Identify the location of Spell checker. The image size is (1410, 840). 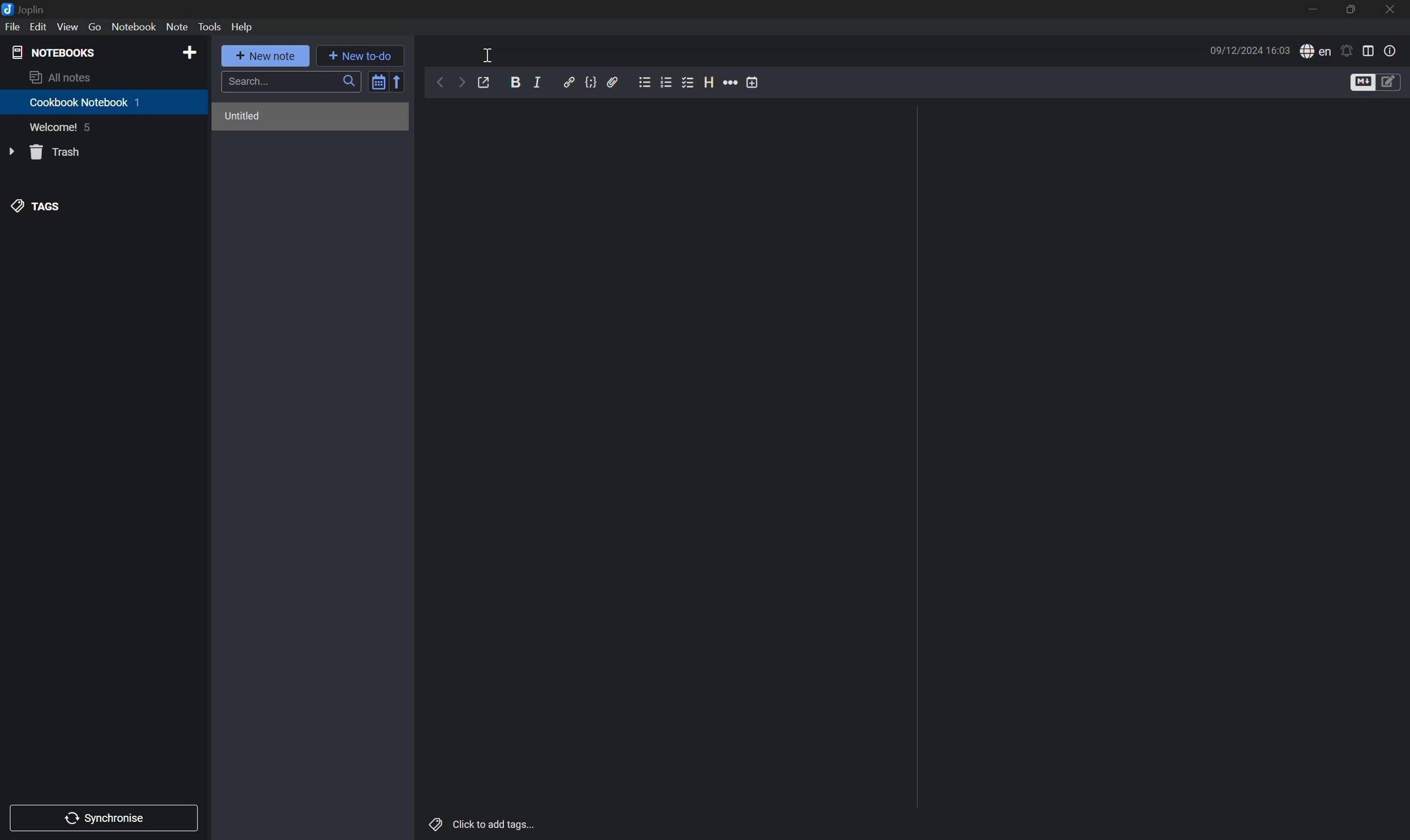
(1317, 50).